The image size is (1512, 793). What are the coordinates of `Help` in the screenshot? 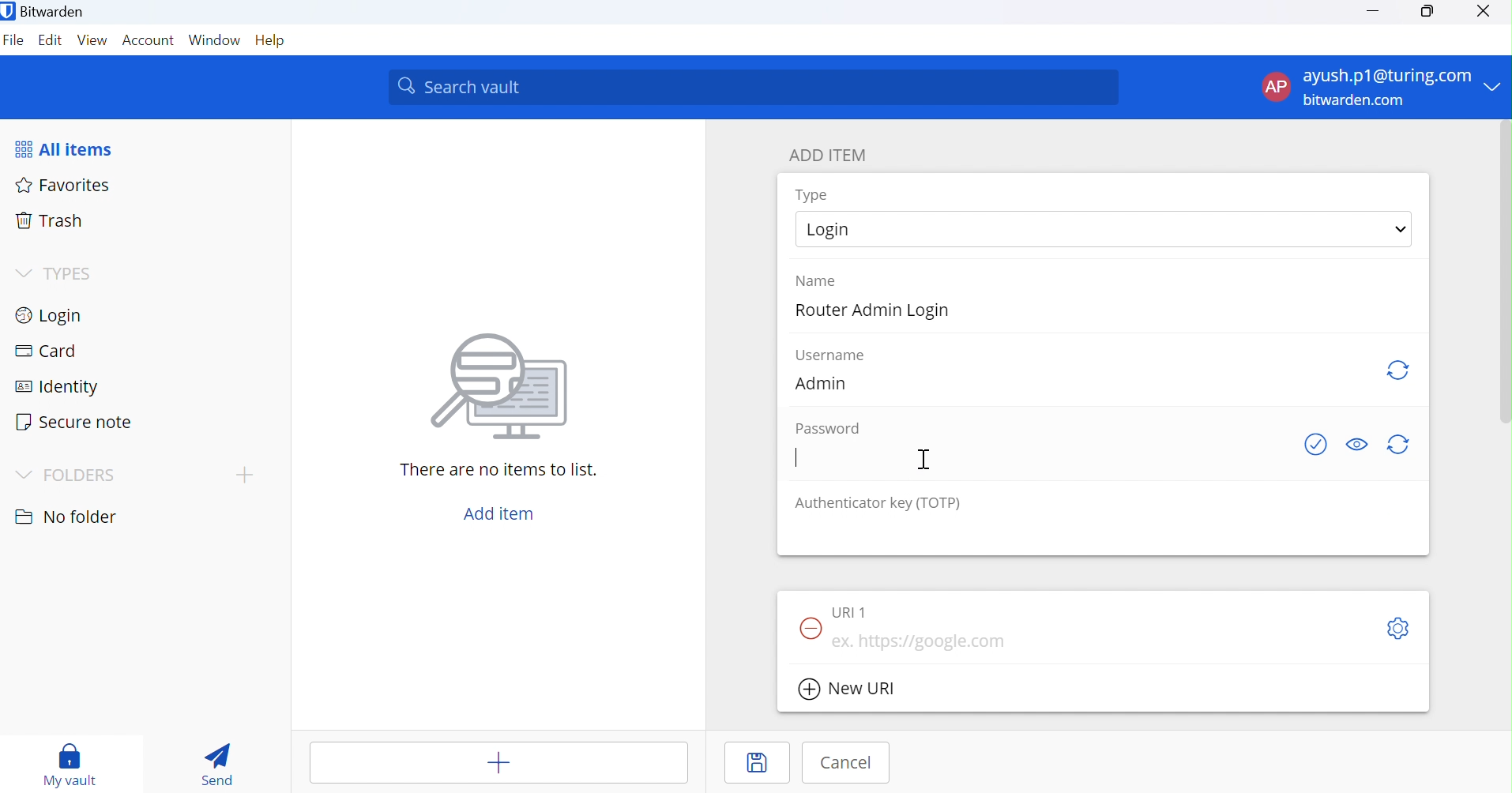 It's located at (273, 41).